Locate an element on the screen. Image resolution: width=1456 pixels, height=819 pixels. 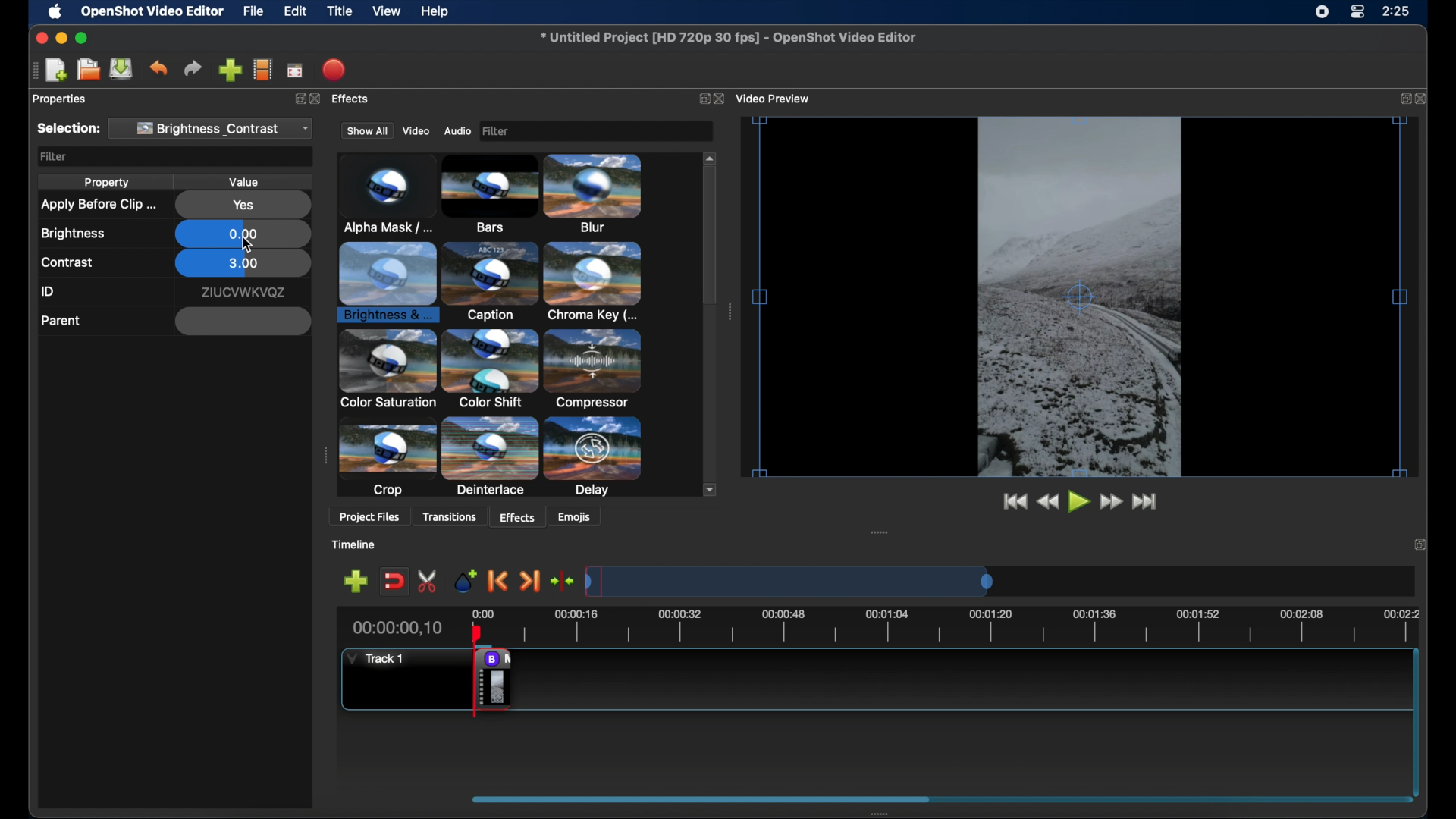
apply before clip is located at coordinates (97, 205).